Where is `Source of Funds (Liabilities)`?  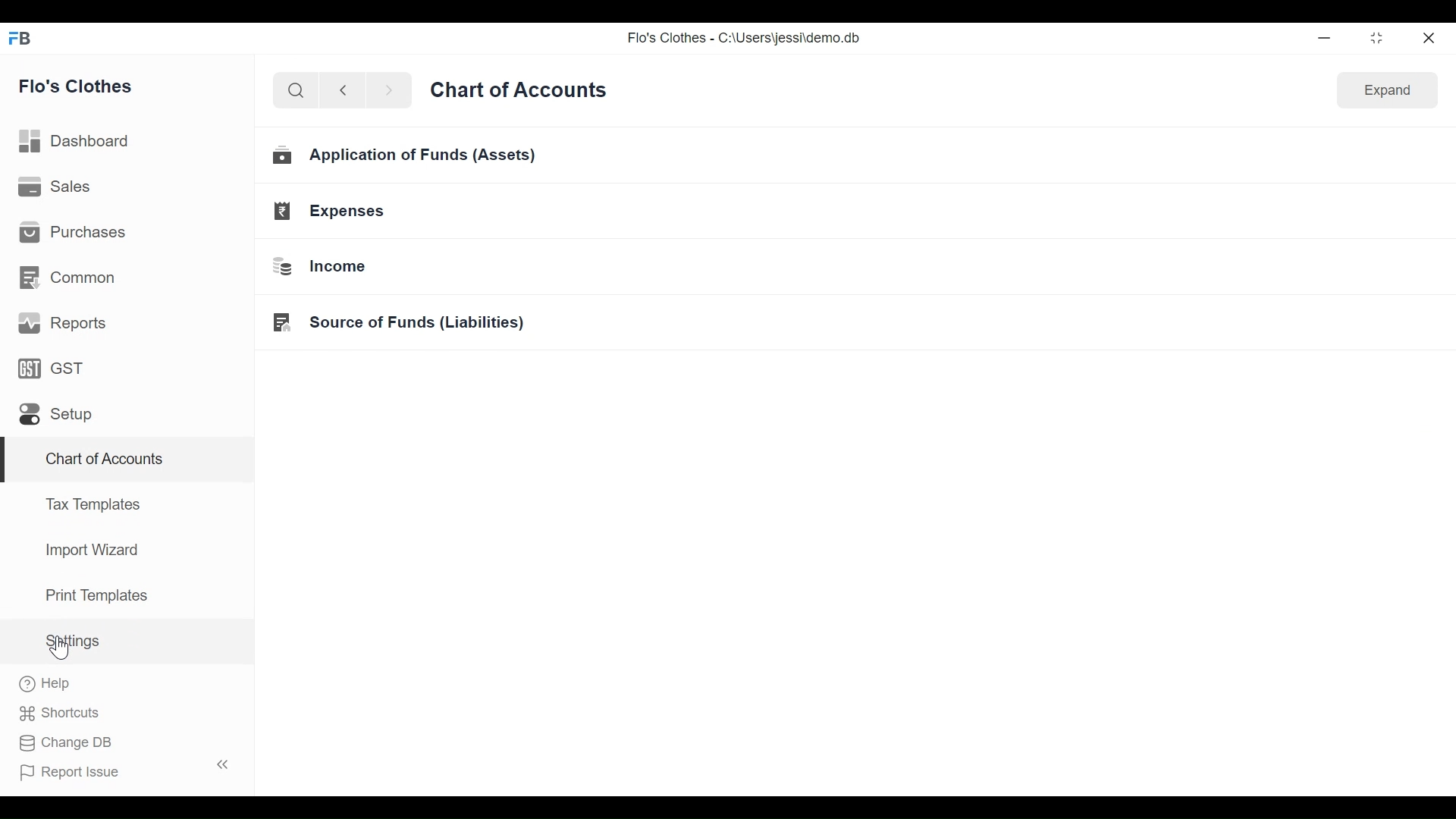 Source of Funds (Liabilities) is located at coordinates (402, 322).